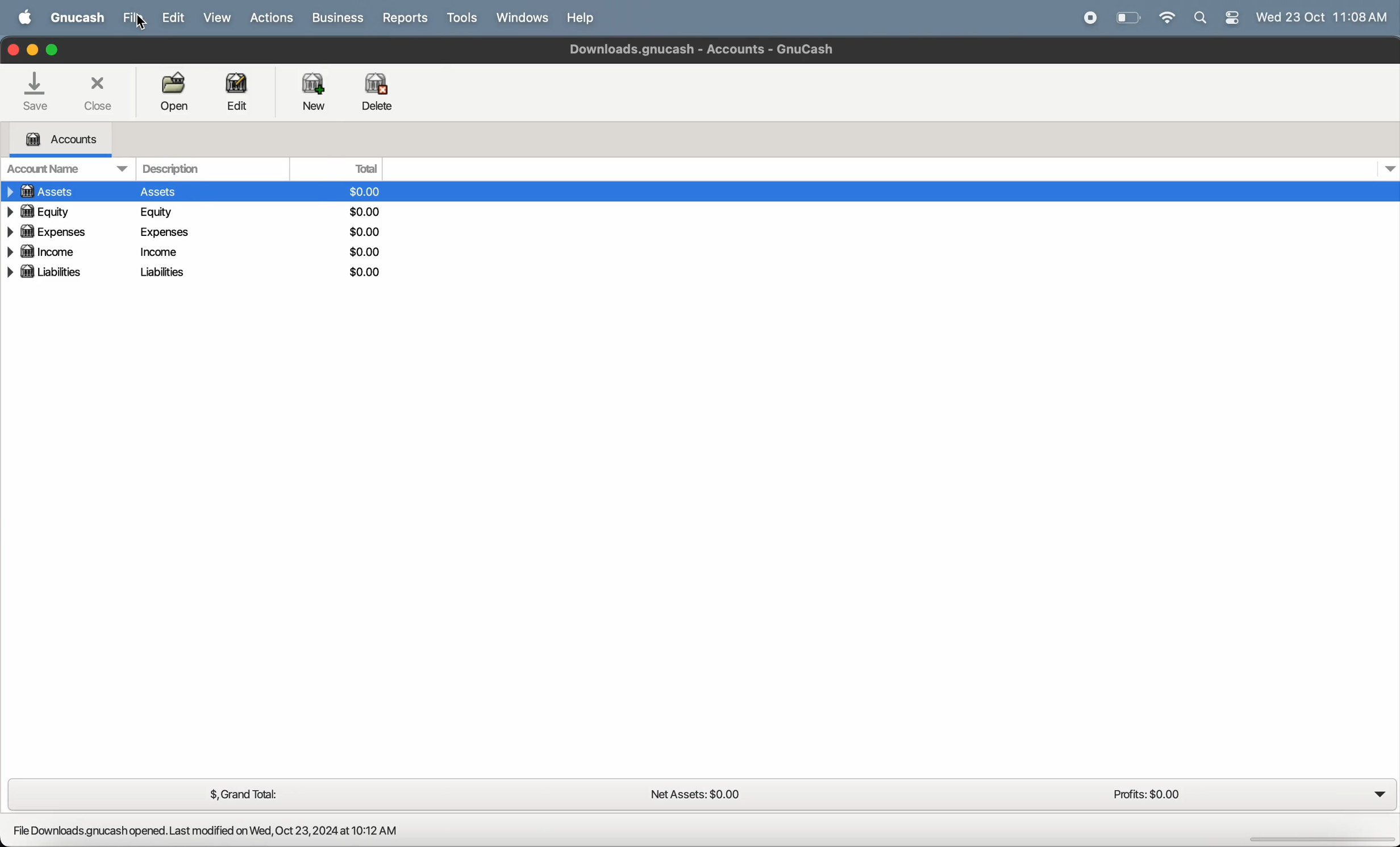 The height and width of the screenshot is (847, 1400). What do you see at coordinates (701, 47) in the screenshot?
I see `Downloads gnucash - Accounts - Gnucash` at bounding box center [701, 47].